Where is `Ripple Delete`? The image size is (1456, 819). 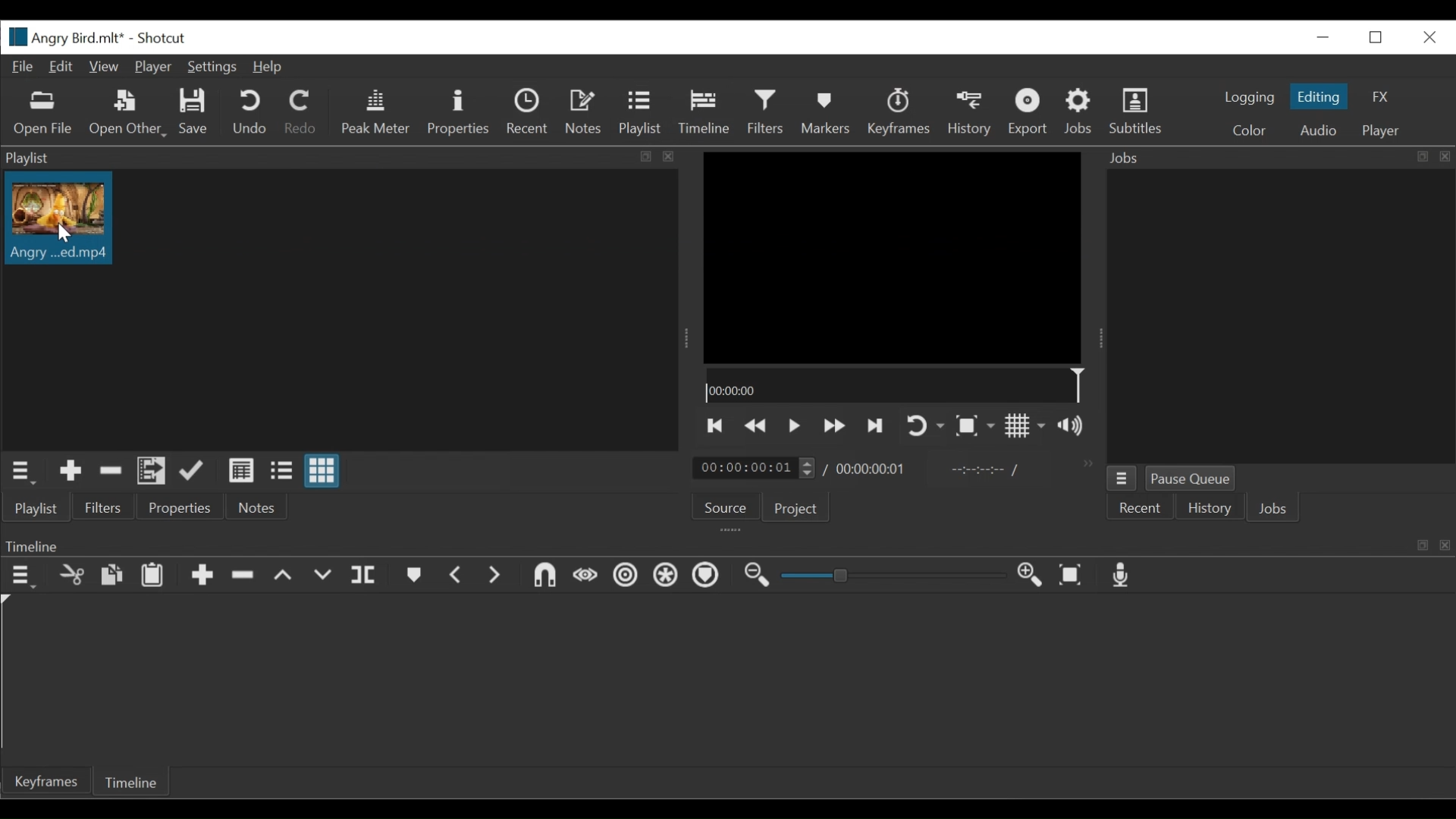
Ripple Delete is located at coordinates (243, 576).